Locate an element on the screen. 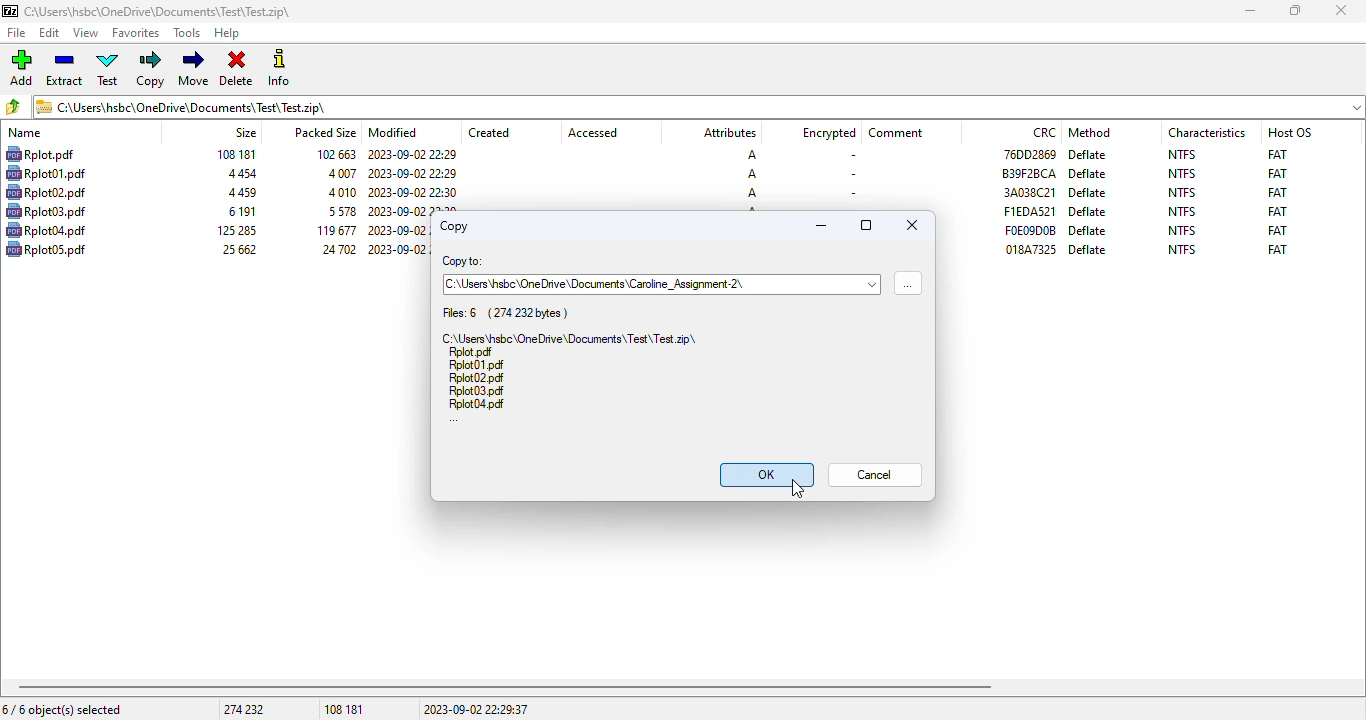 Image resolution: width=1366 pixels, height=720 pixels. created is located at coordinates (489, 133).